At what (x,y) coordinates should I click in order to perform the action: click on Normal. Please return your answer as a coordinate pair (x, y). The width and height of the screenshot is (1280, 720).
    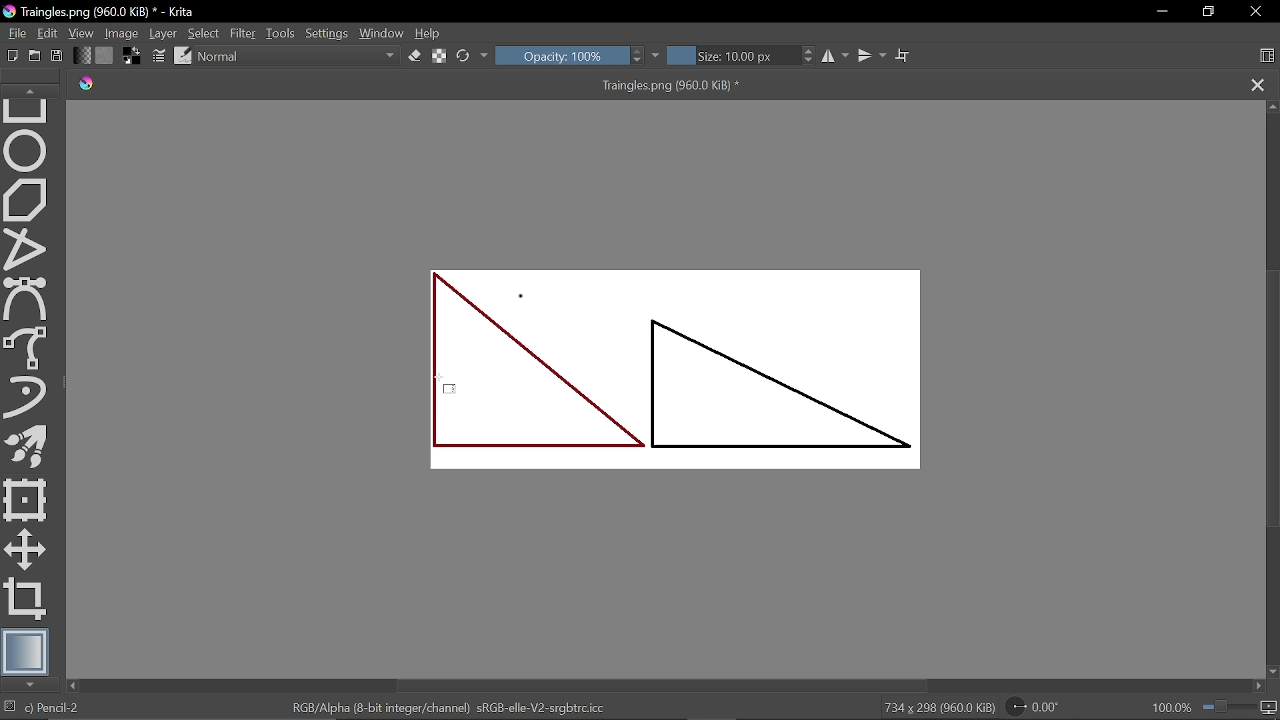
    Looking at the image, I should click on (298, 56).